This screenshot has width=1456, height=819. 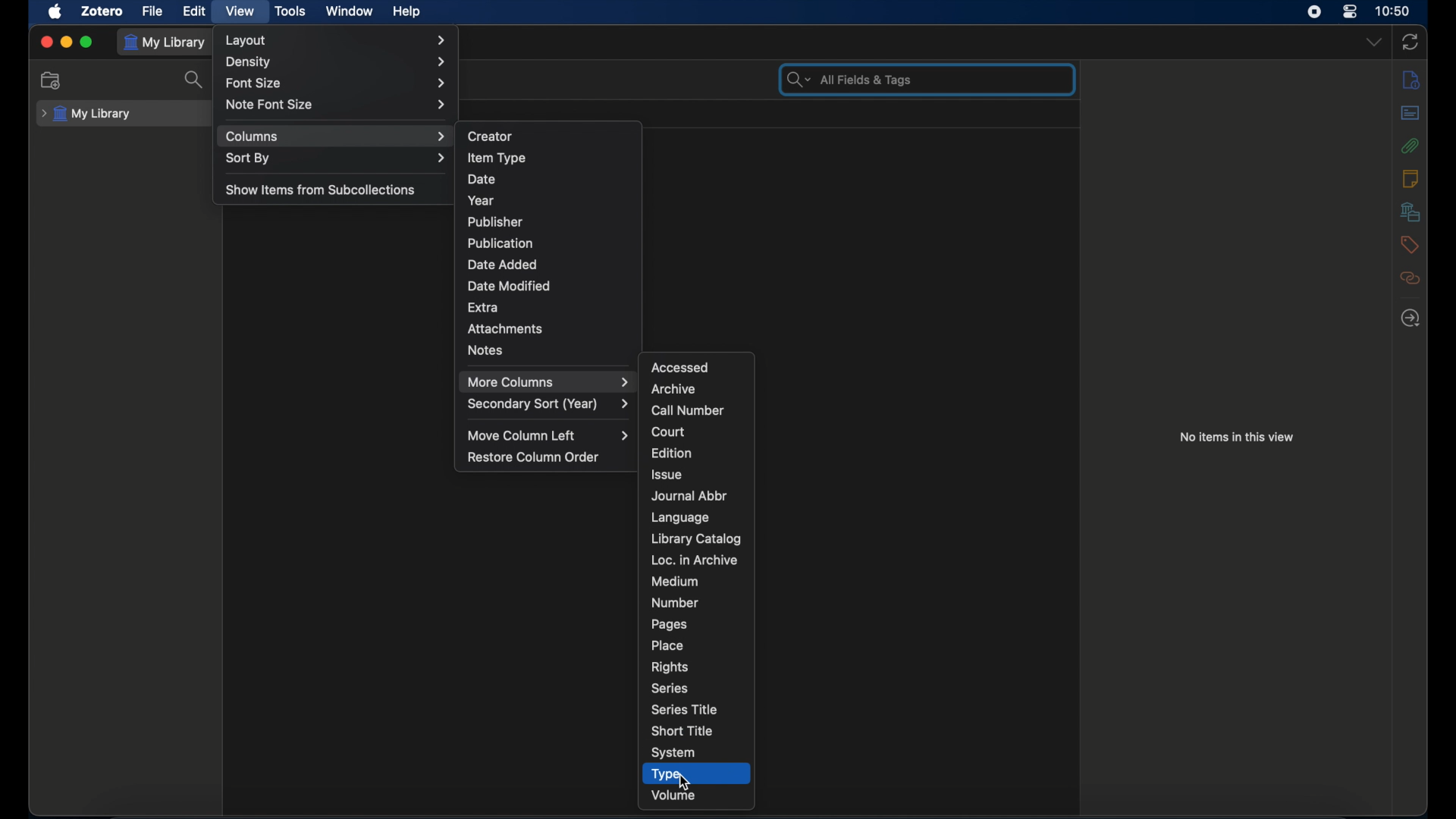 I want to click on series title, so click(x=686, y=710).